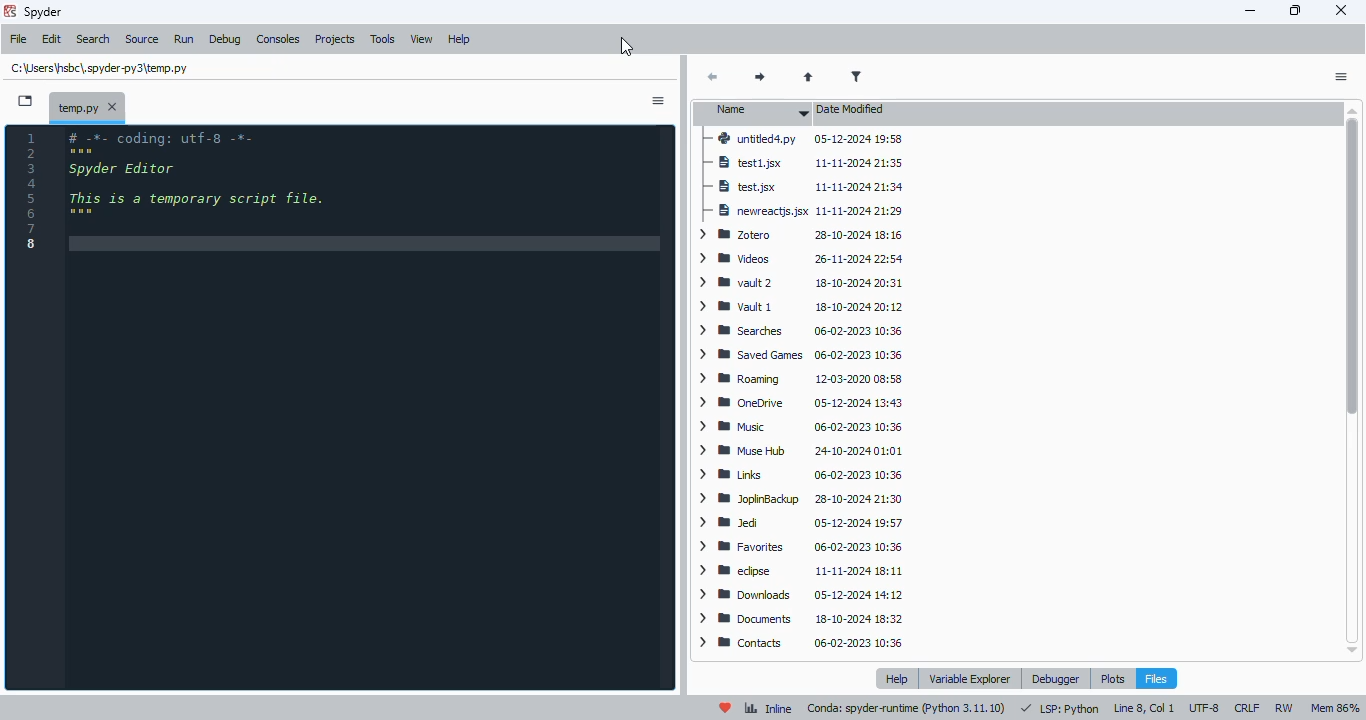  I want to click on inline, so click(768, 709).